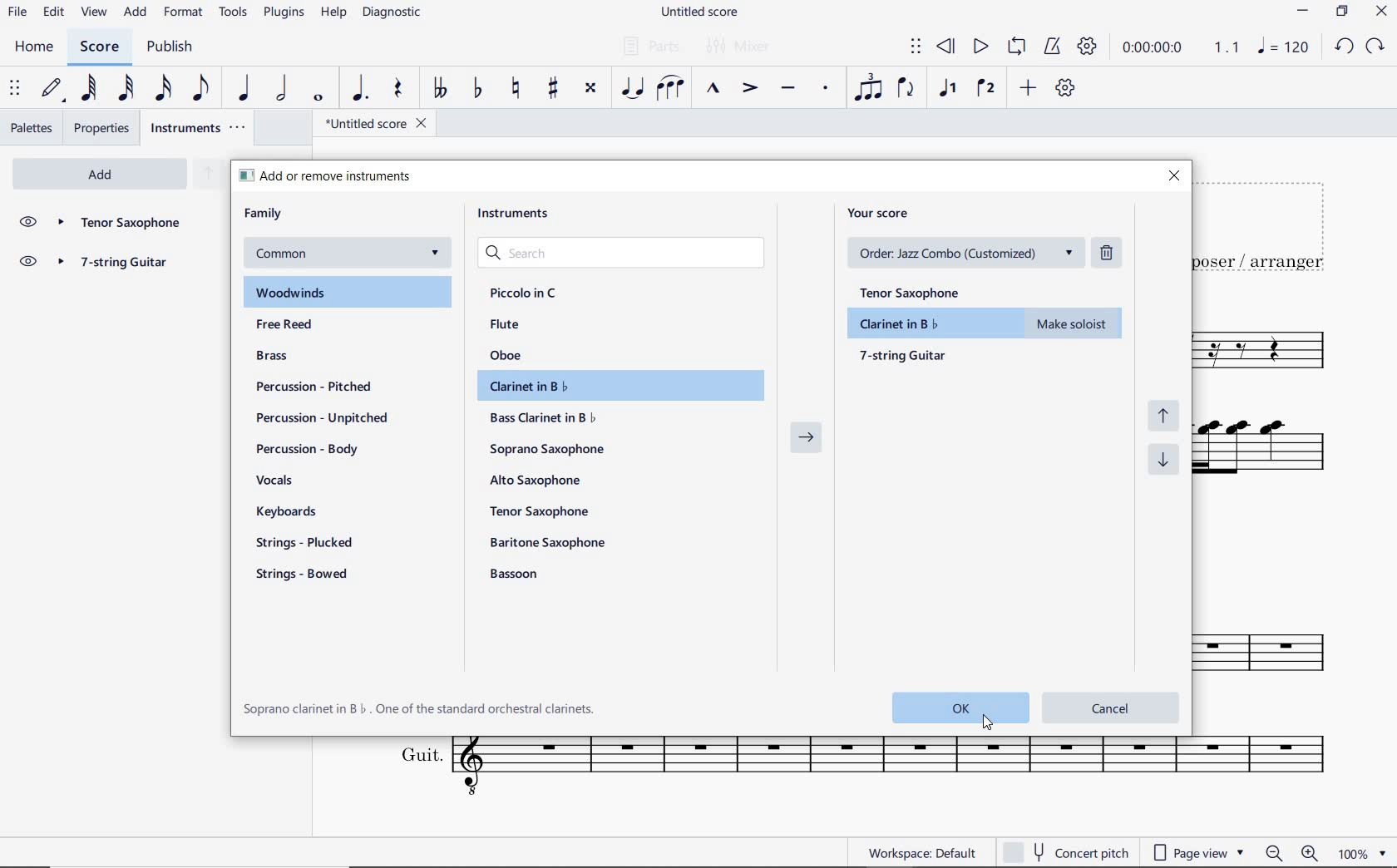 The width and height of the screenshot is (1397, 868). What do you see at coordinates (698, 13) in the screenshot?
I see `FILE NAME` at bounding box center [698, 13].